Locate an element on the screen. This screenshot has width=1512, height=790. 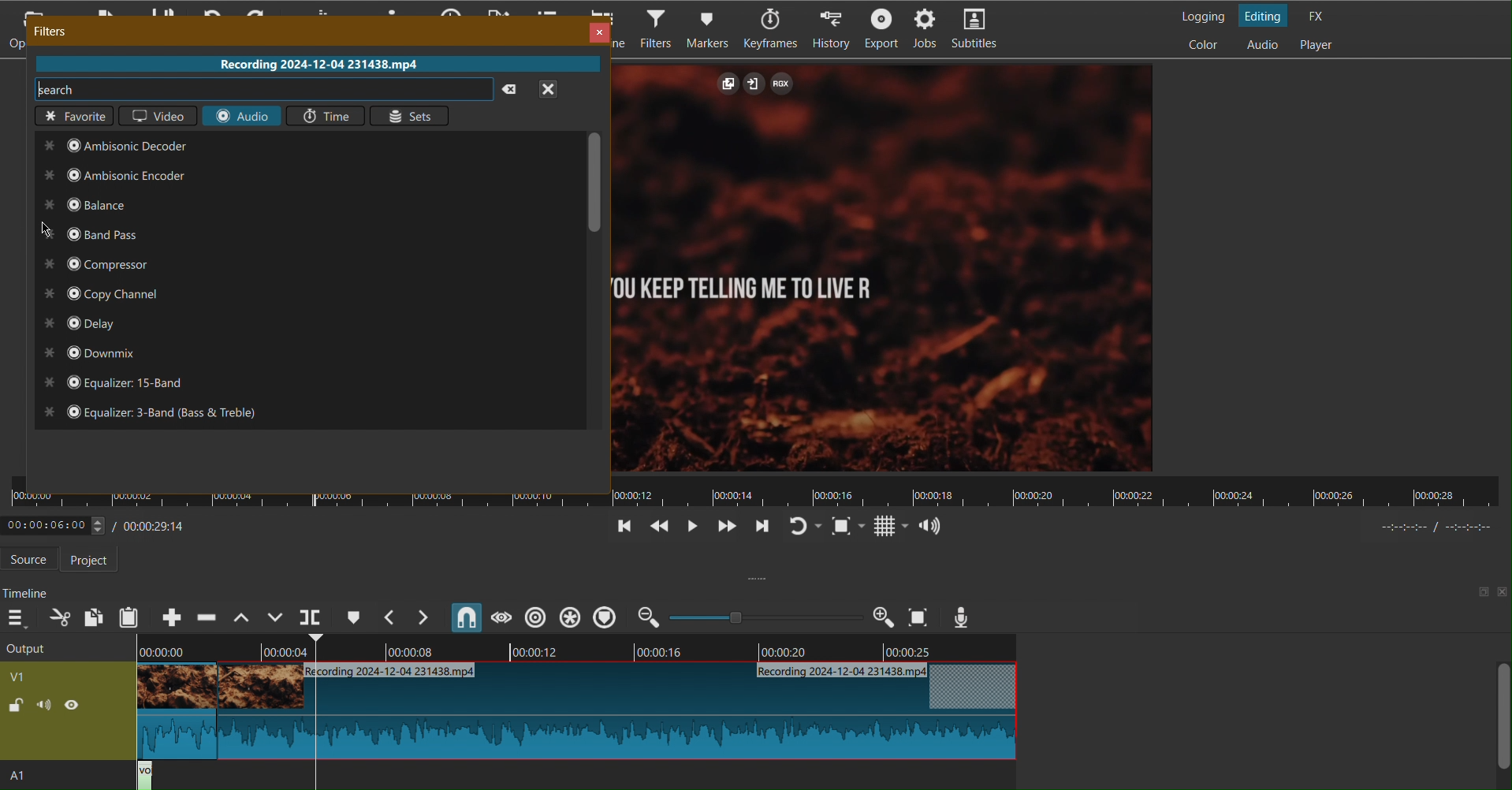
Logging is located at coordinates (1202, 13).